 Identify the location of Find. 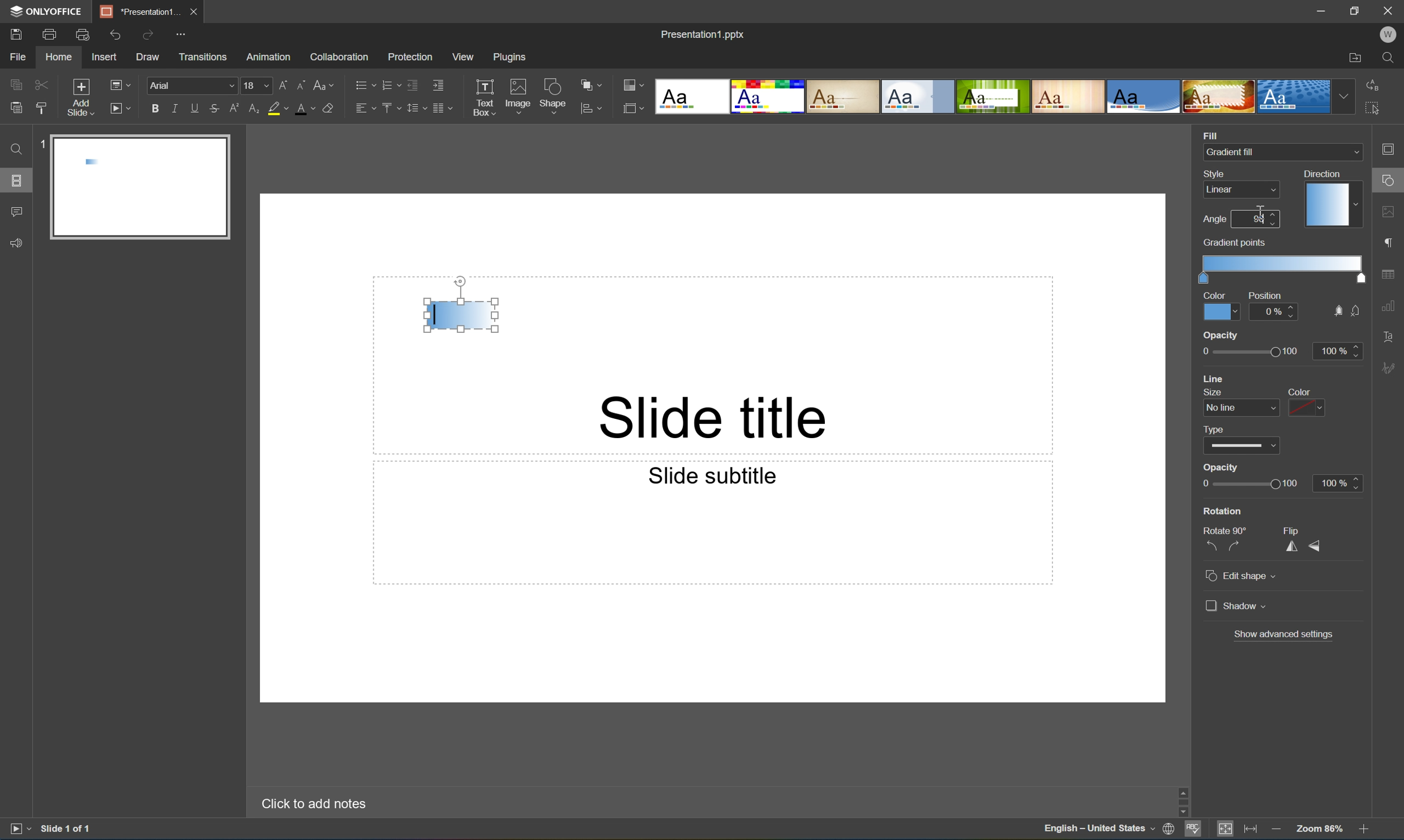
(14, 149).